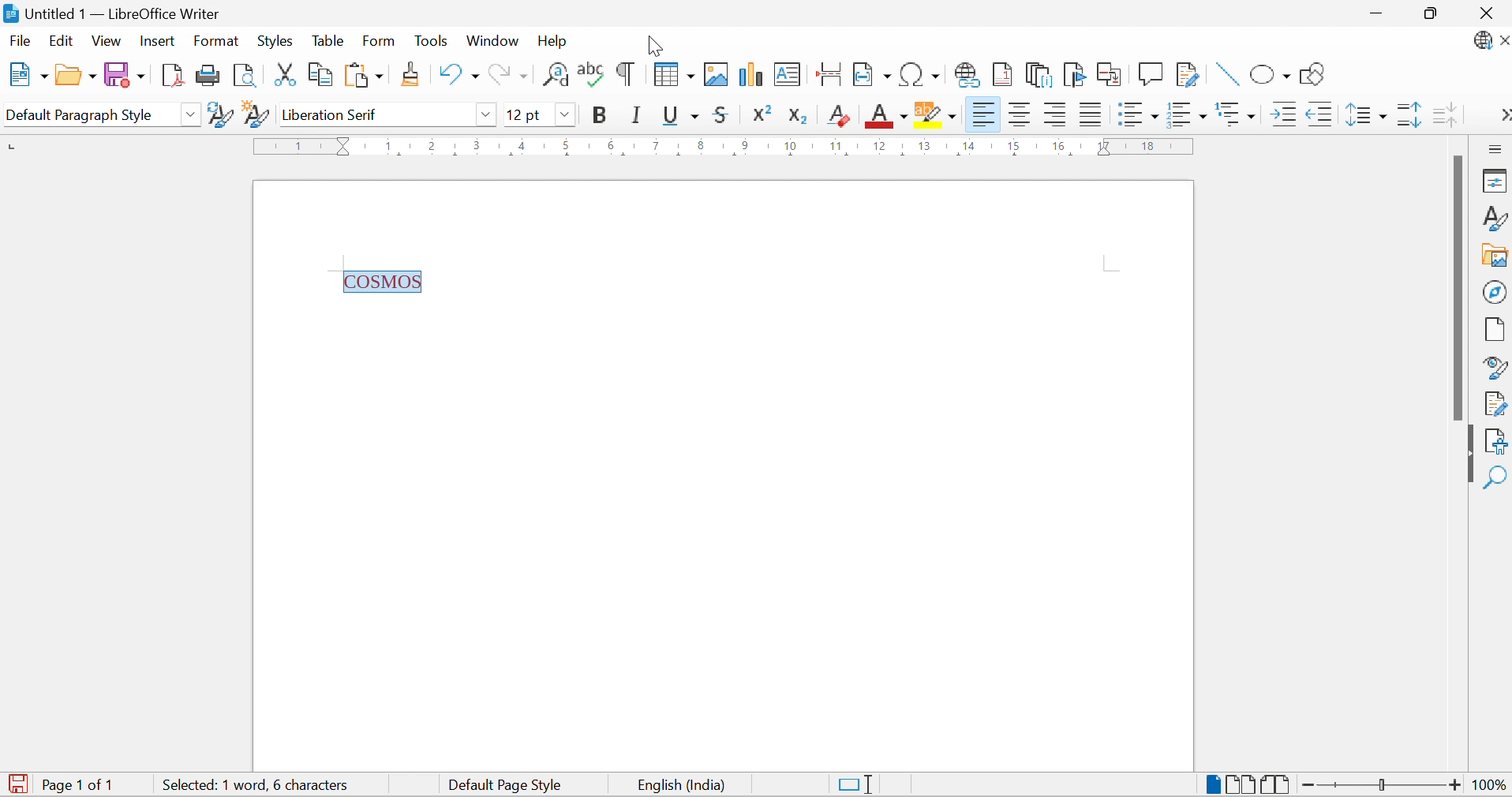 This screenshot has width=1512, height=797. Describe the element at coordinates (968, 148) in the screenshot. I see `14` at that location.